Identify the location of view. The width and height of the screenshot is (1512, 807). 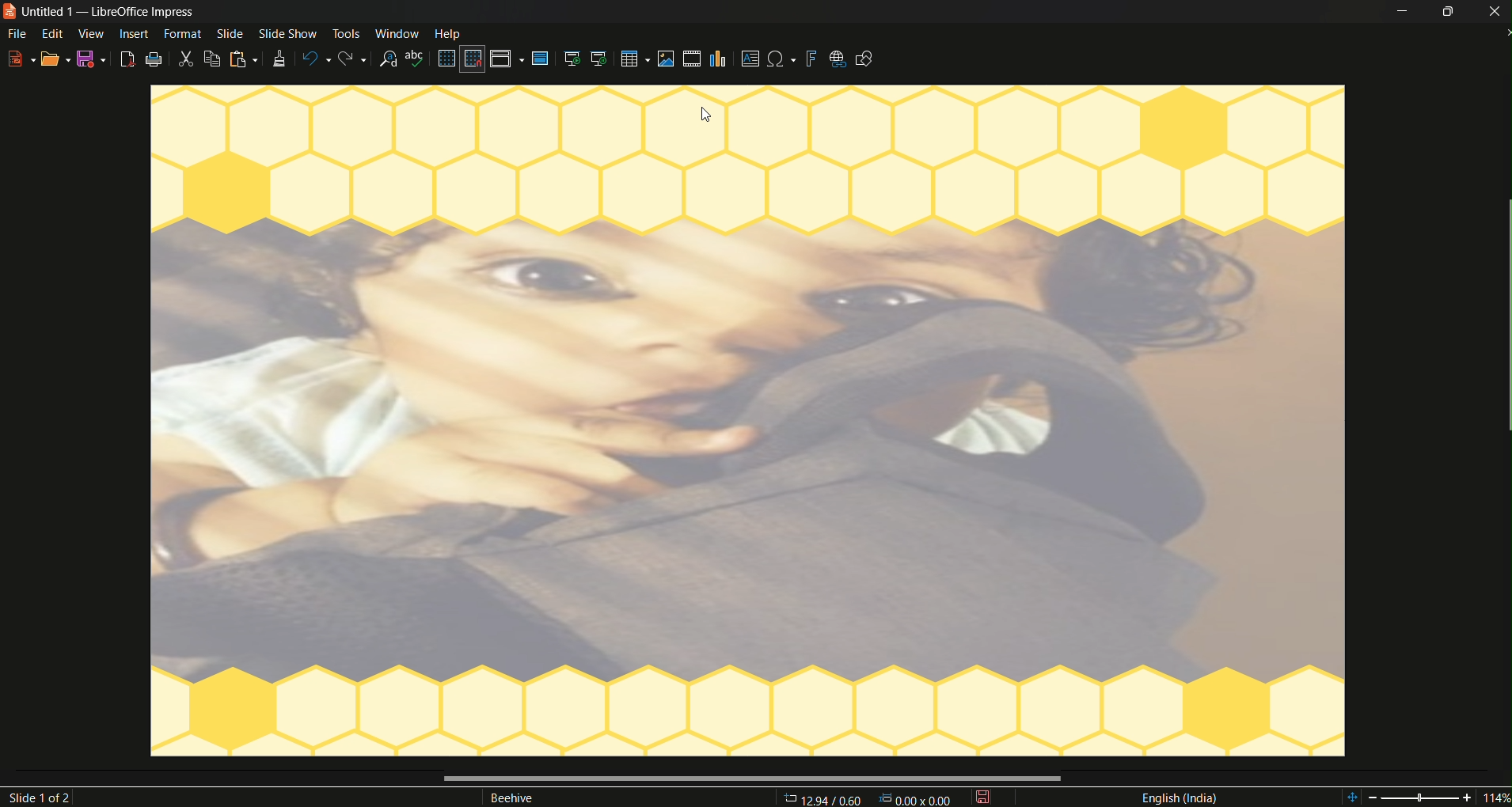
(92, 34).